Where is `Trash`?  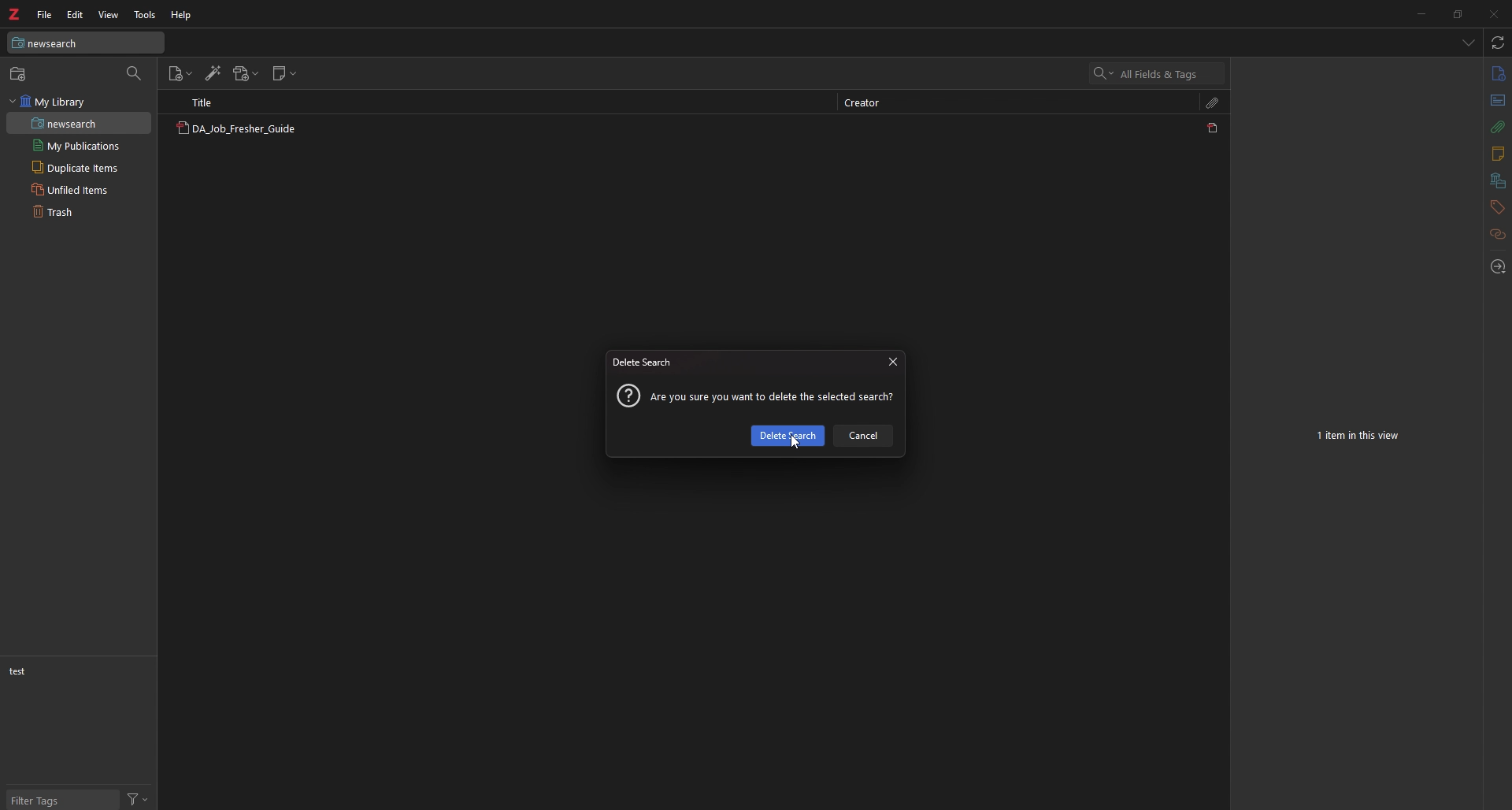 Trash is located at coordinates (52, 212).